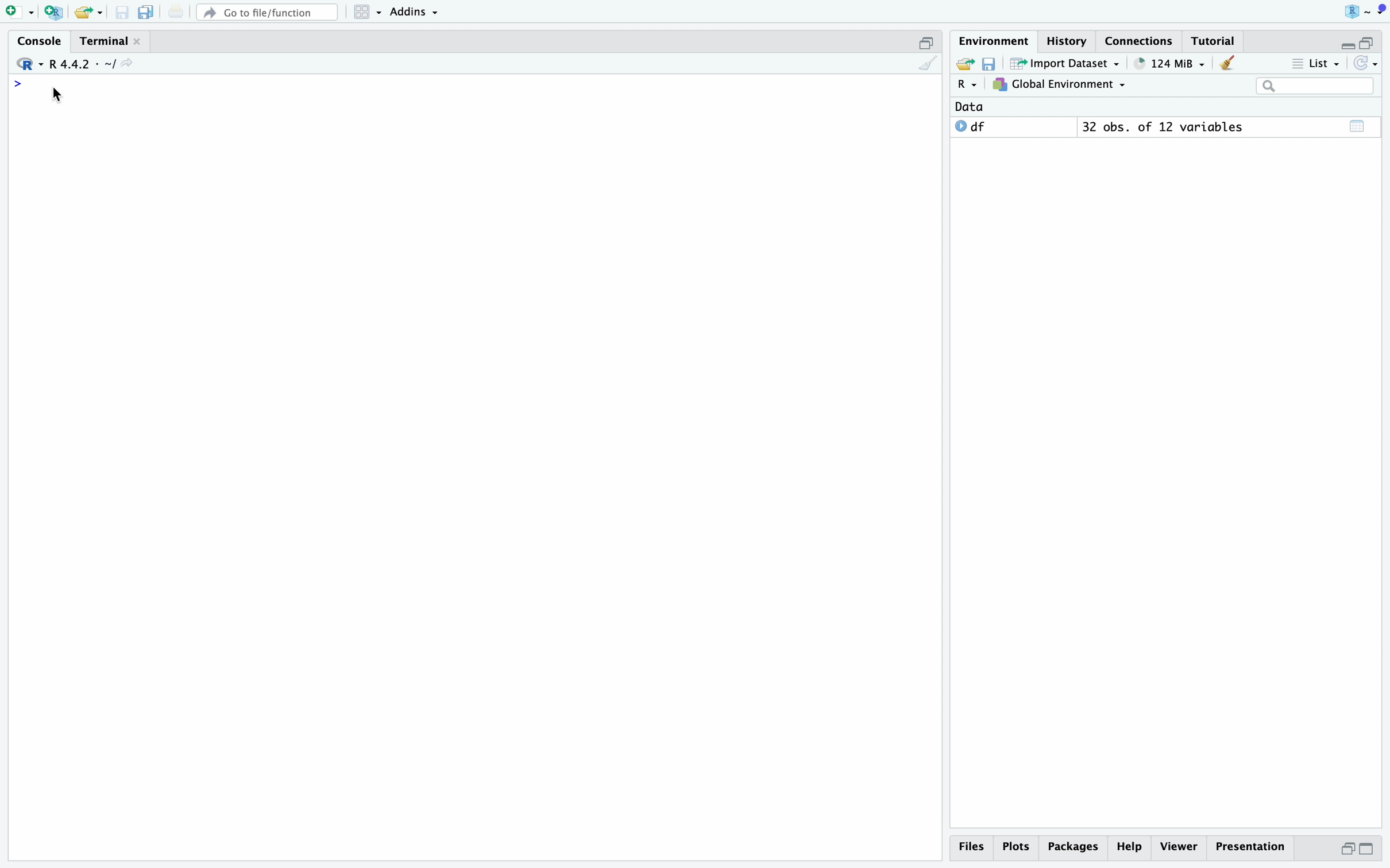 The height and width of the screenshot is (868, 1390). Describe the element at coordinates (57, 95) in the screenshot. I see `cursor` at that location.